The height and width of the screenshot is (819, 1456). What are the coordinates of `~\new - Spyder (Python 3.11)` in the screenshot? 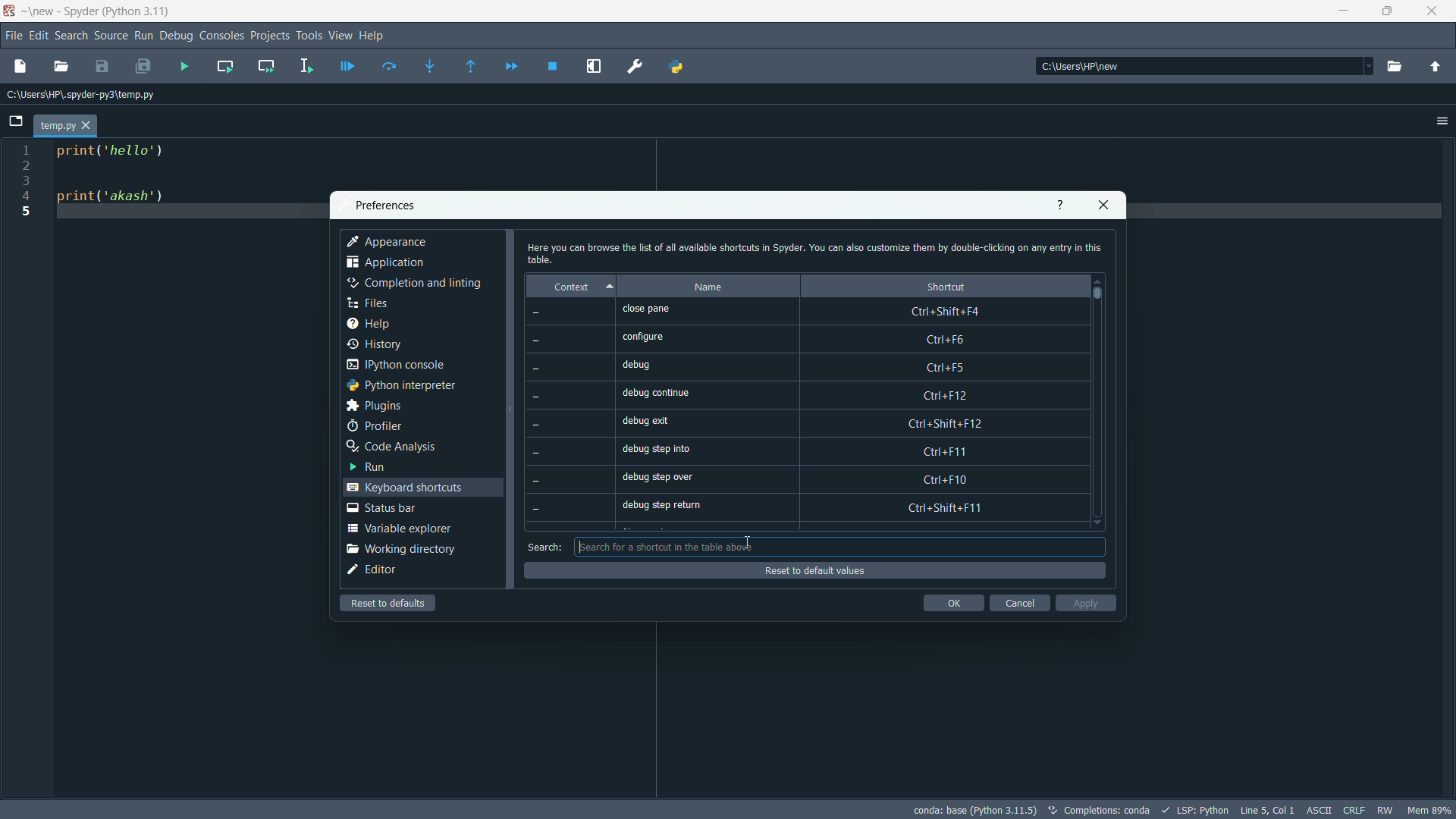 It's located at (99, 12).